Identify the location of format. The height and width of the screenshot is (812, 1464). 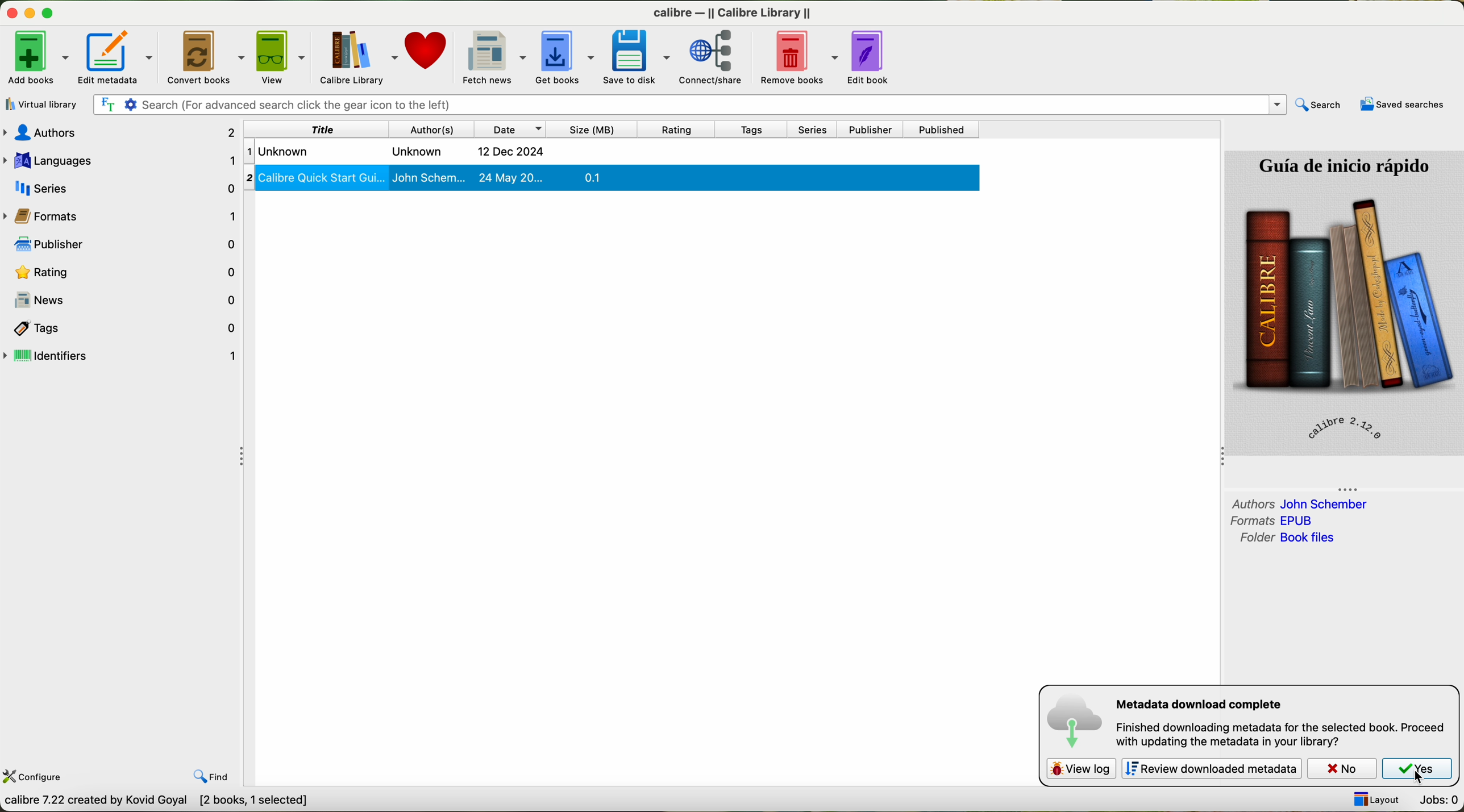
(57, 217).